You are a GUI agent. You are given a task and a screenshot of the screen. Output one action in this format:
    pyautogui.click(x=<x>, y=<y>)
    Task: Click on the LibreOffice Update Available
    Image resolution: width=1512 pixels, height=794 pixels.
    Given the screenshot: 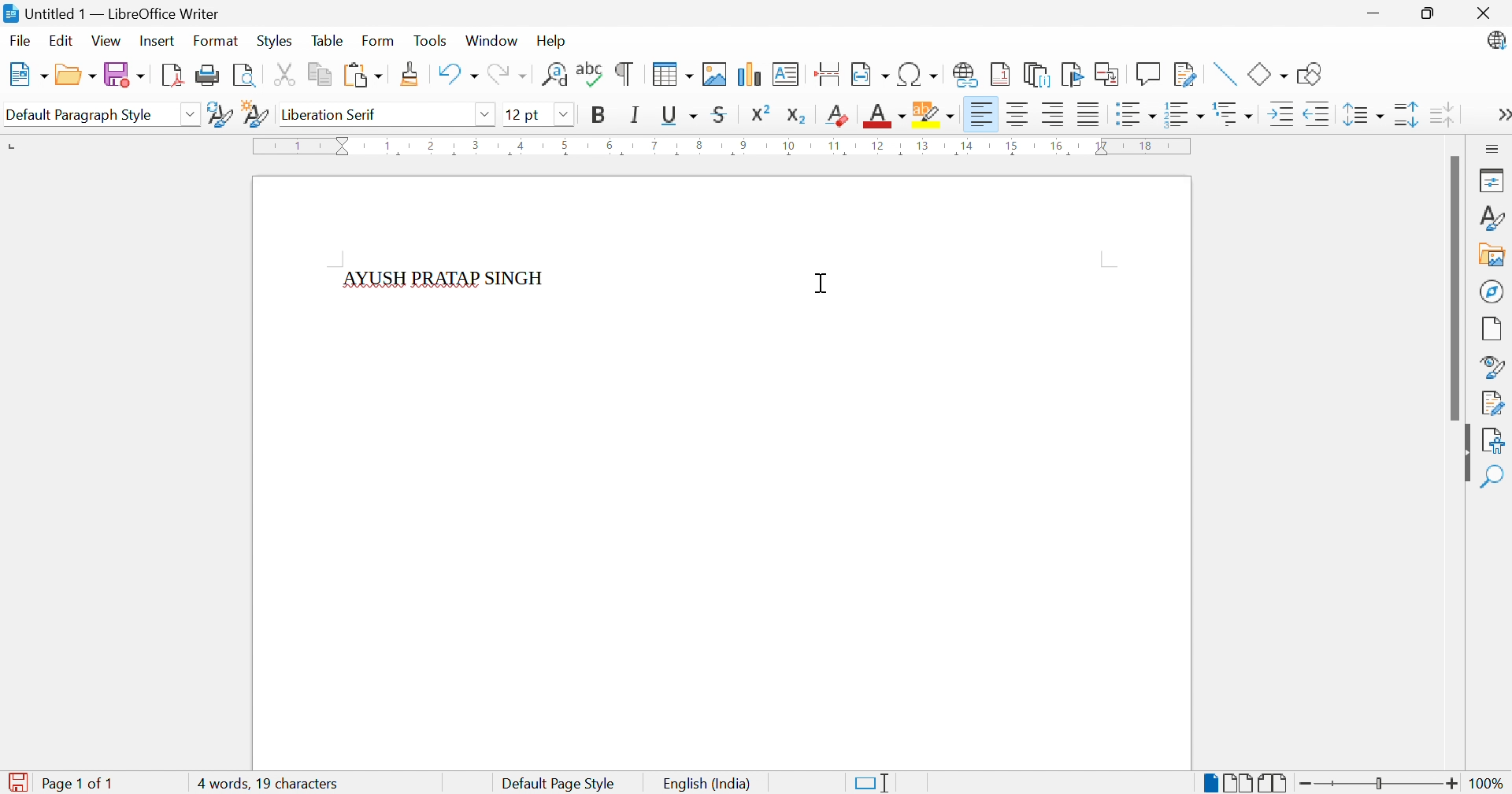 What is the action you would take?
    pyautogui.click(x=1497, y=42)
    